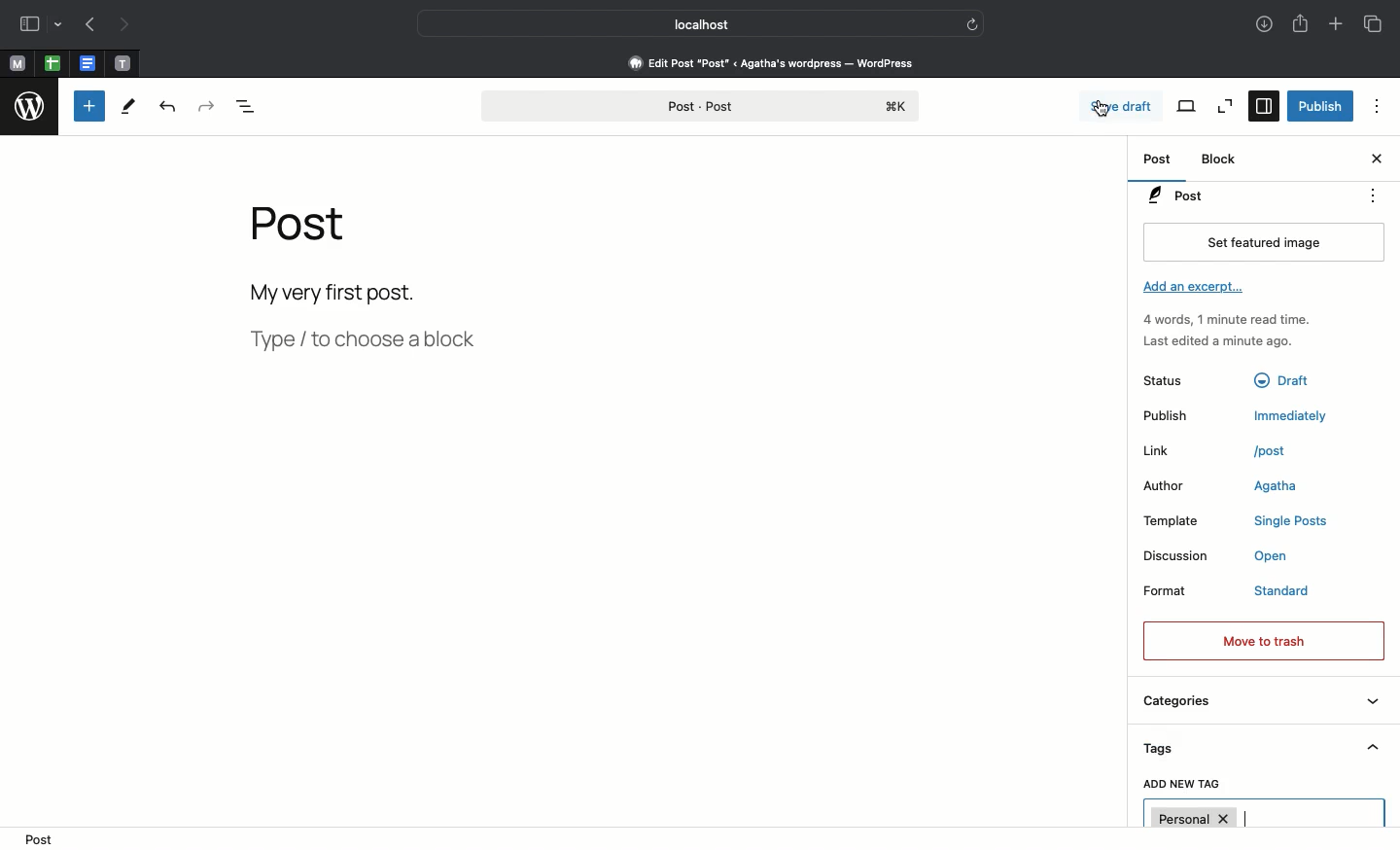 The image size is (1400, 850). I want to click on Set featured image, so click(1263, 241).